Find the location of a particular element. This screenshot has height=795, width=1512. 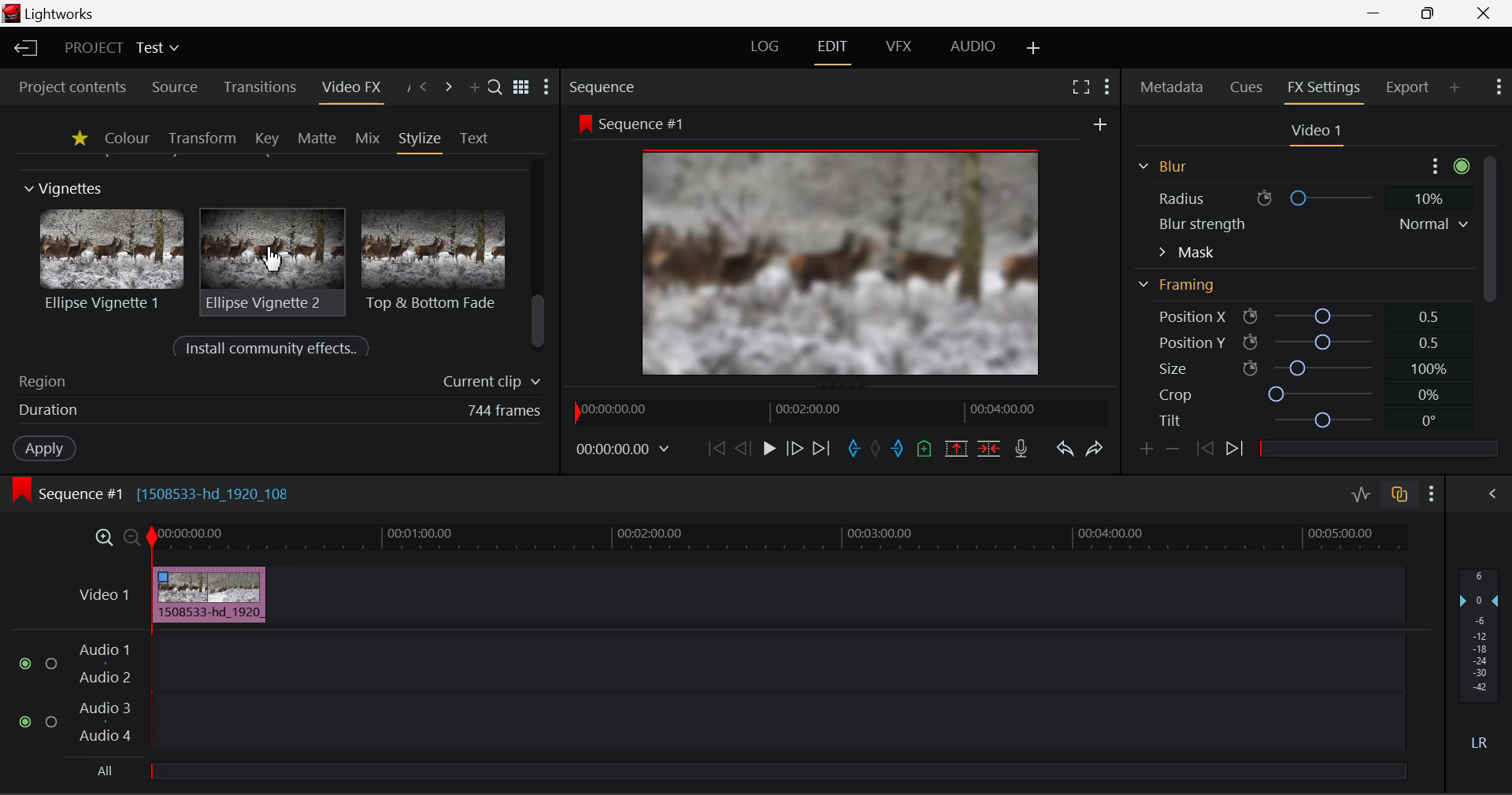

Matte is located at coordinates (317, 138).